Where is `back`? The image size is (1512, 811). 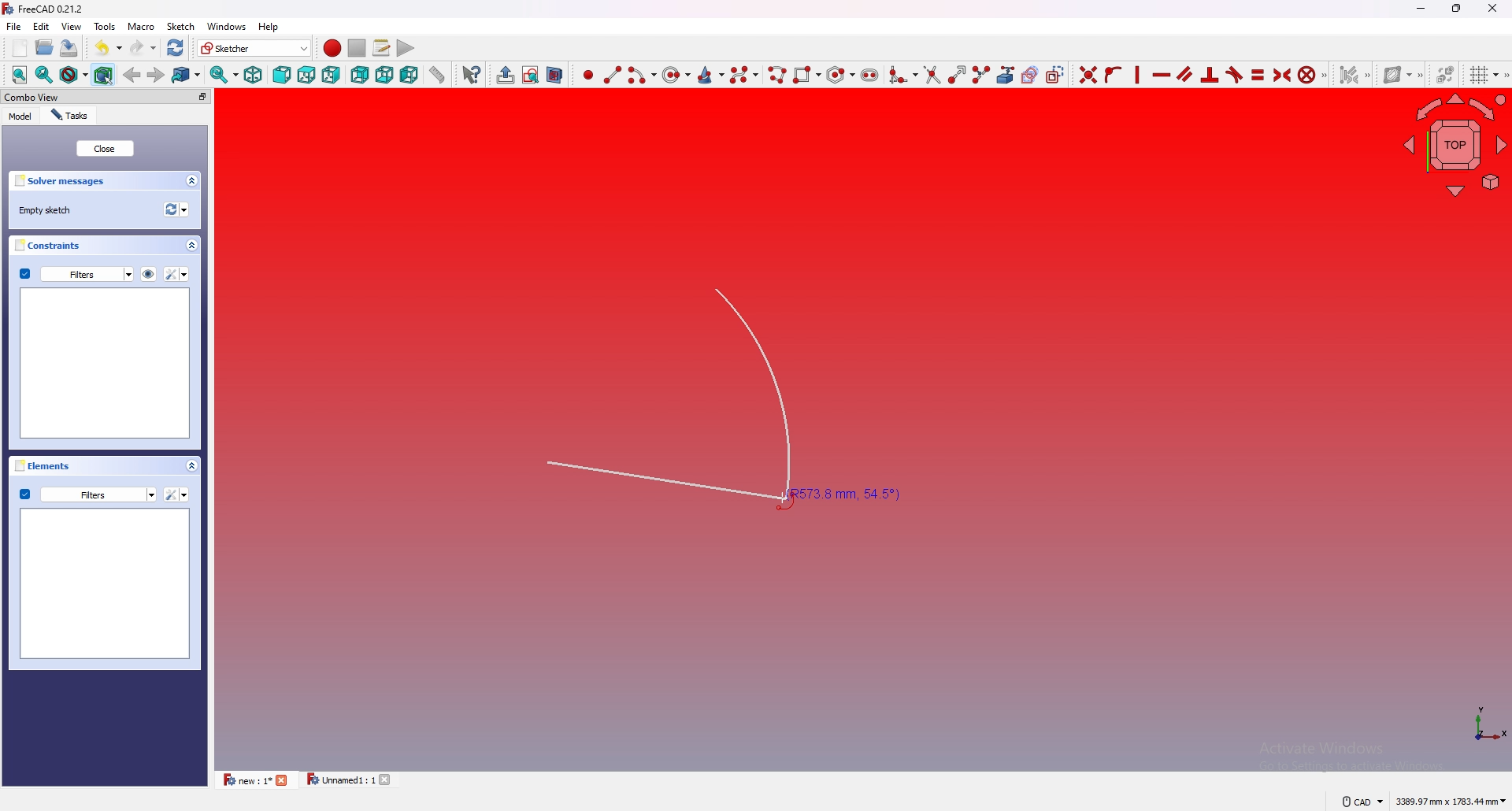
back is located at coordinates (360, 75).